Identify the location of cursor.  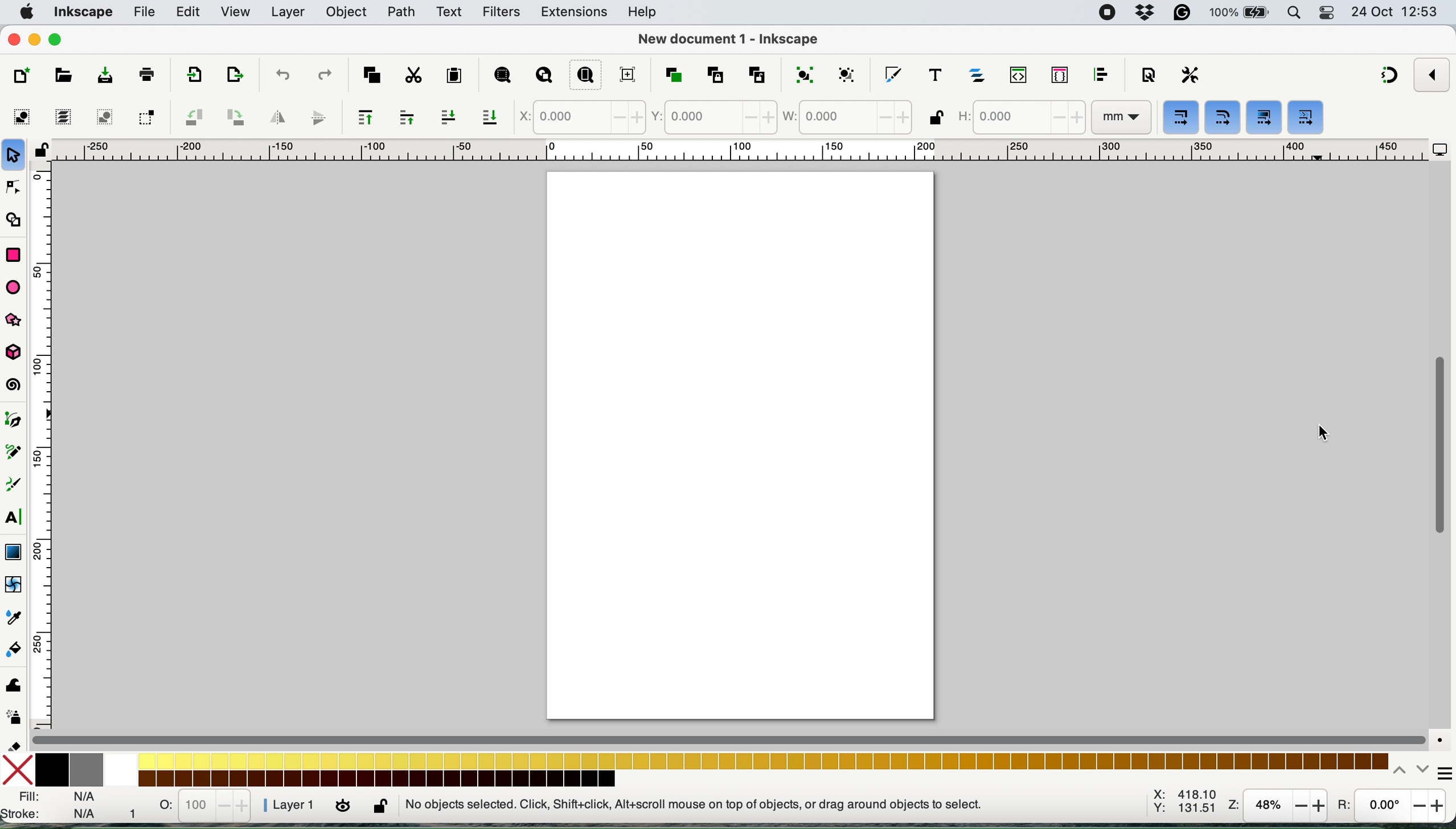
(1440, 778).